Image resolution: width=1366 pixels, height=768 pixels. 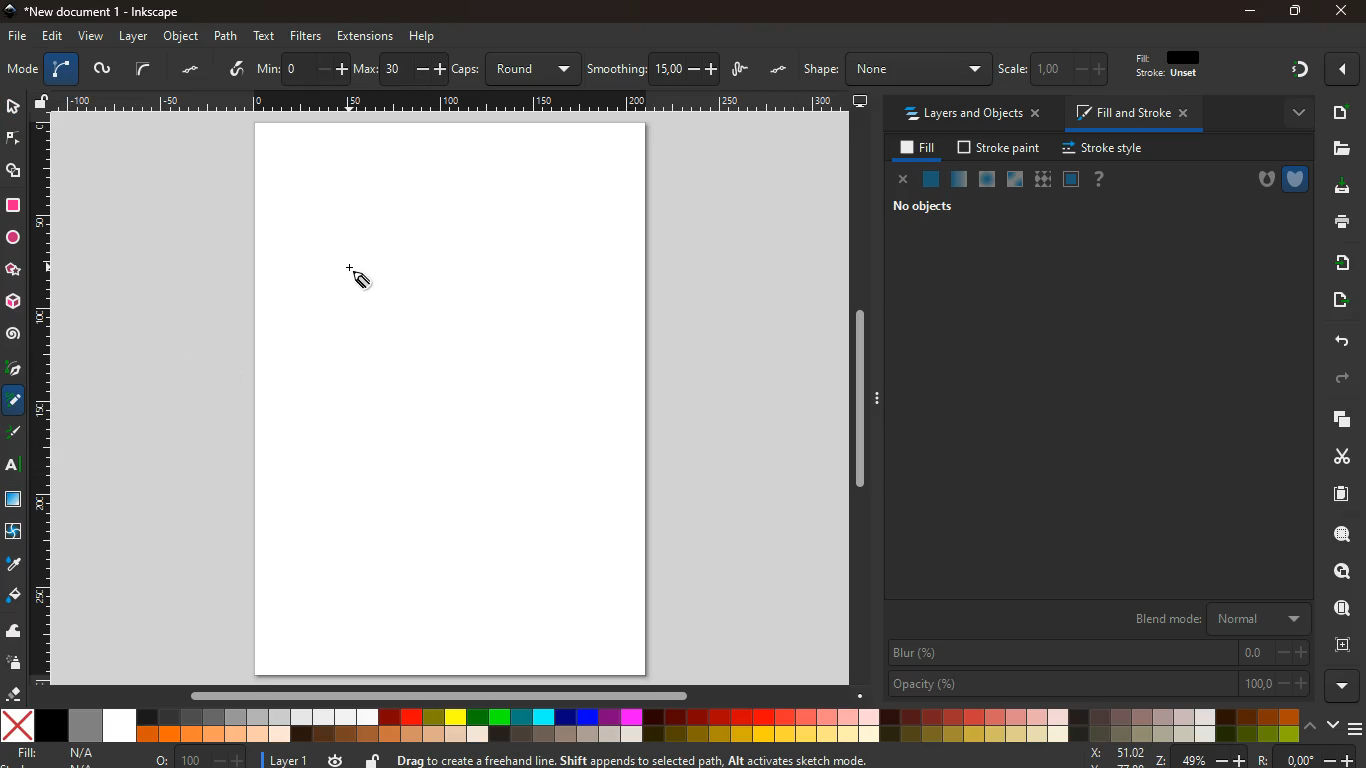 What do you see at coordinates (51, 37) in the screenshot?
I see `edit` at bounding box center [51, 37].